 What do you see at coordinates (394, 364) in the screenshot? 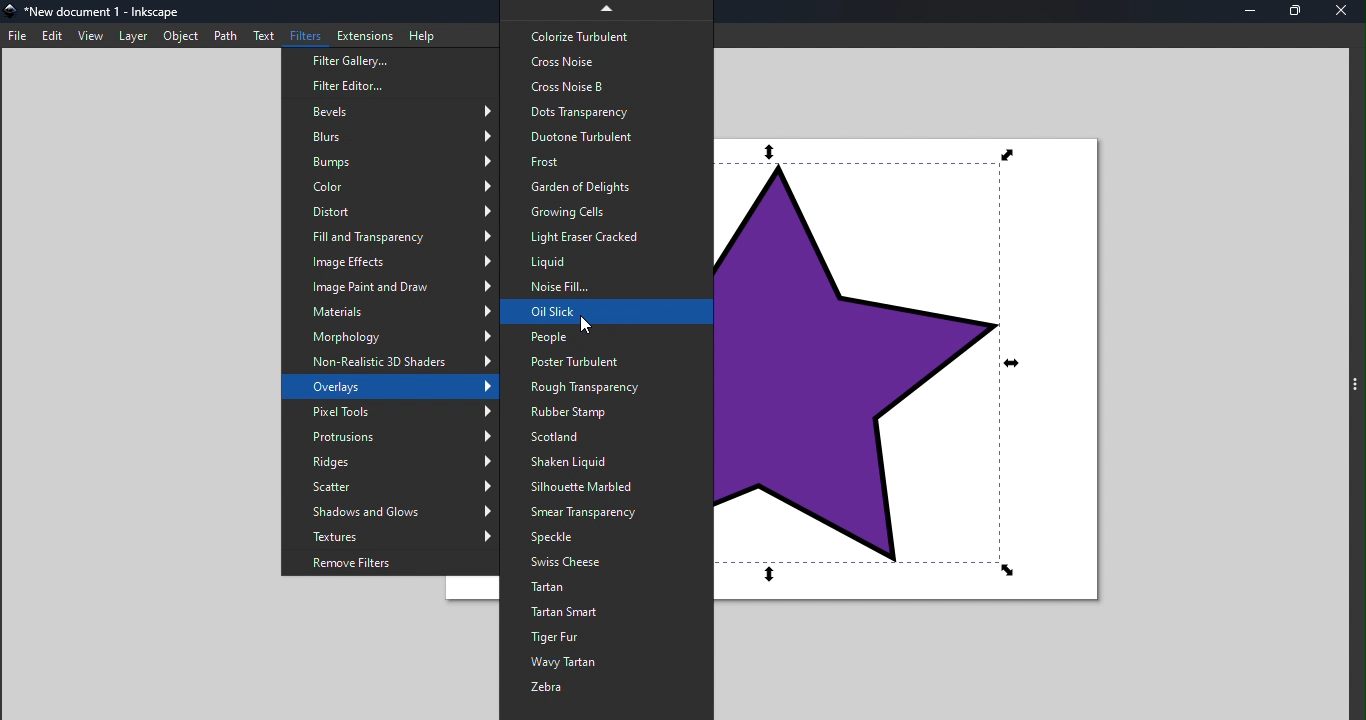
I see `Non realistic 3D shade` at bounding box center [394, 364].